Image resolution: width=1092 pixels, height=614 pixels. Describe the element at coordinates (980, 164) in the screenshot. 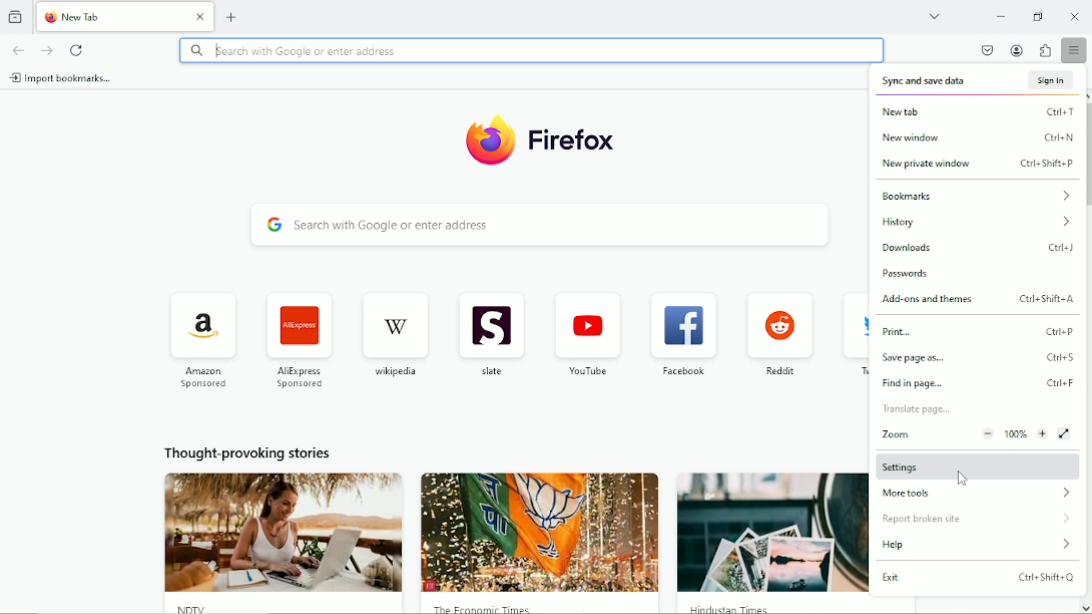

I see `new private window` at that location.